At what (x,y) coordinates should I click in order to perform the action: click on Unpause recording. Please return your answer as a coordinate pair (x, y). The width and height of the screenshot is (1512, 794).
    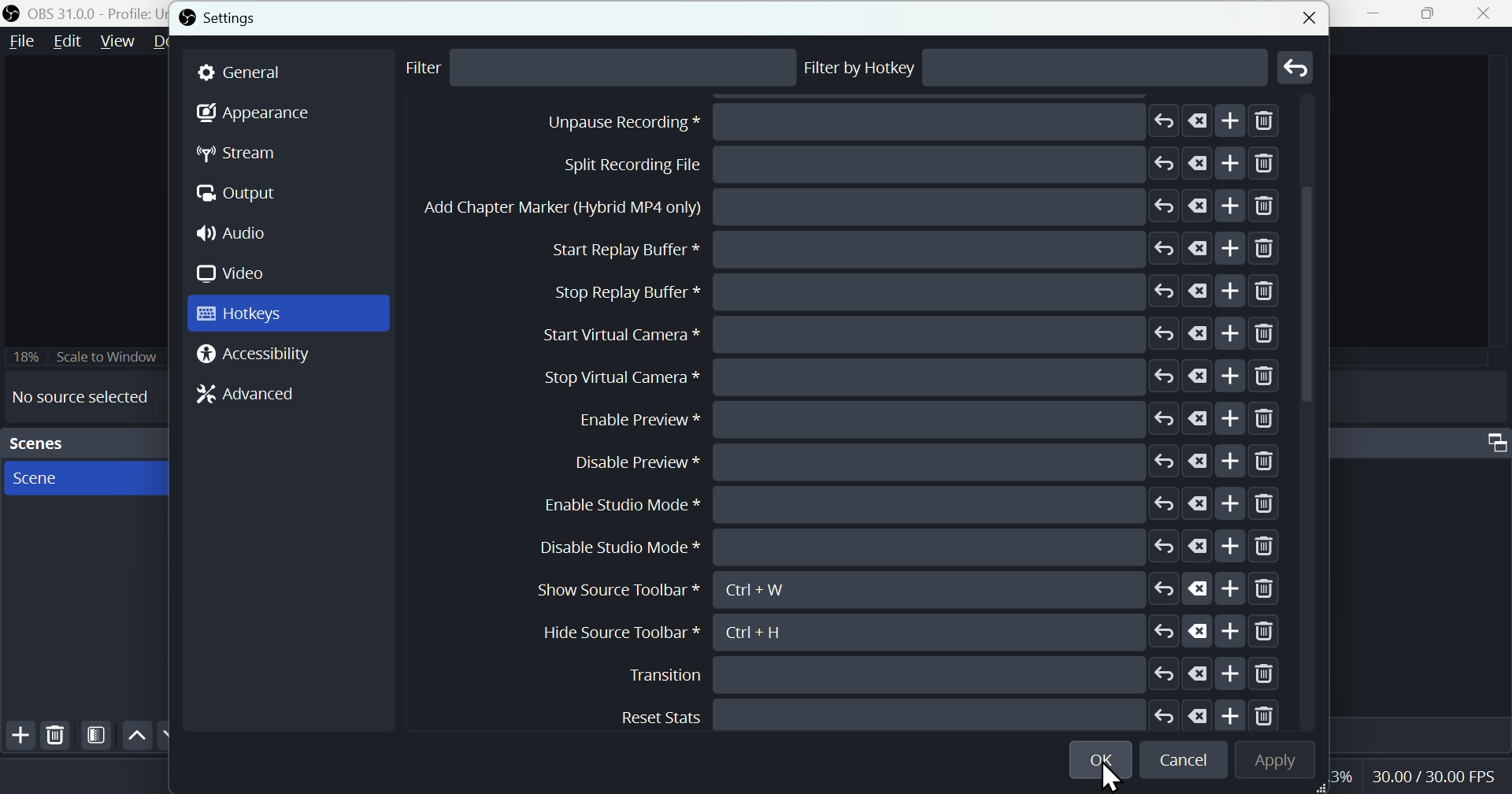
    Looking at the image, I should click on (921, 291).